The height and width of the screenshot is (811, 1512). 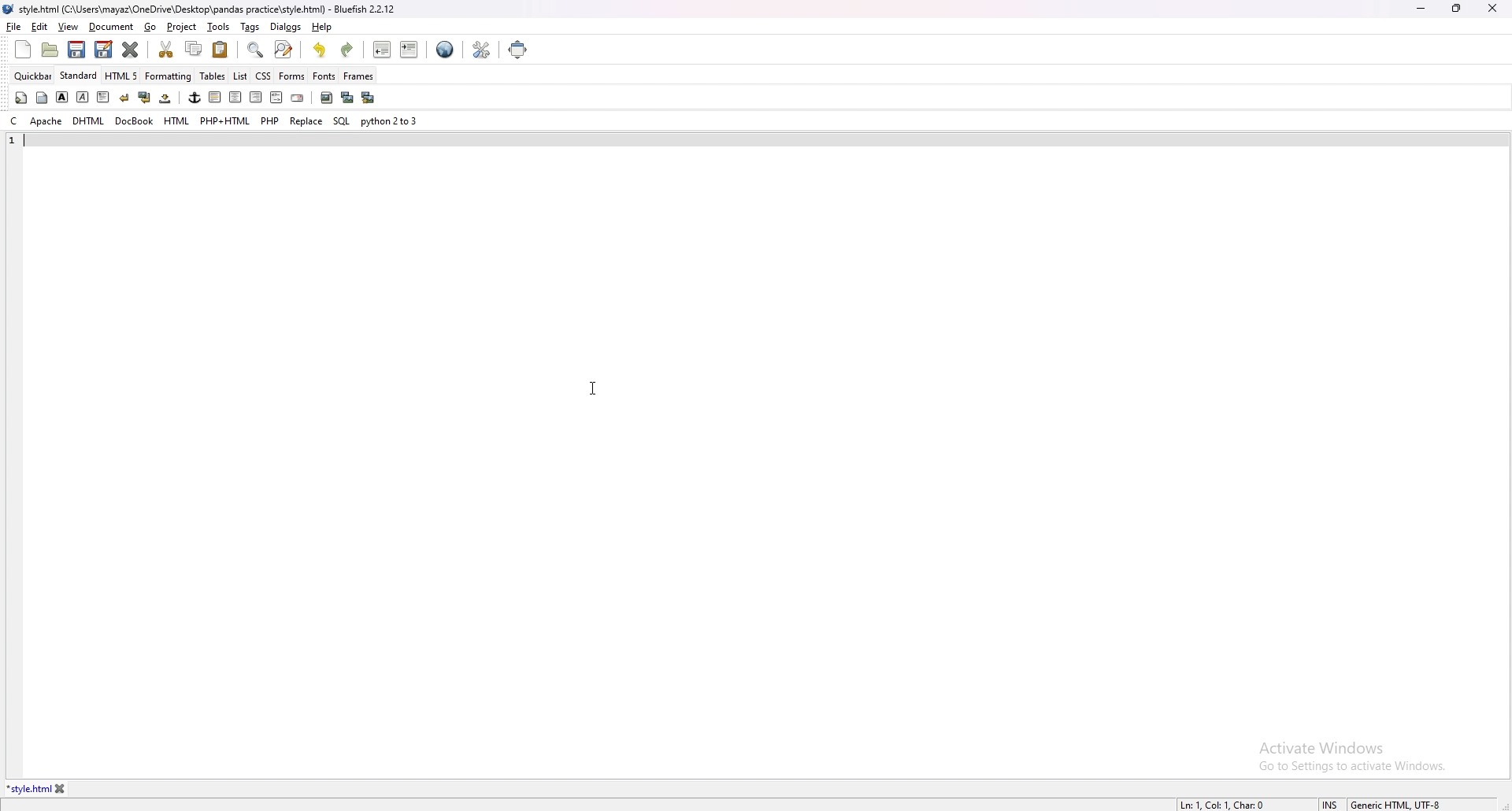 What do you see at coordinates (240, 75) in the screenshot?
I see `list` at bounding box center [240, 75].